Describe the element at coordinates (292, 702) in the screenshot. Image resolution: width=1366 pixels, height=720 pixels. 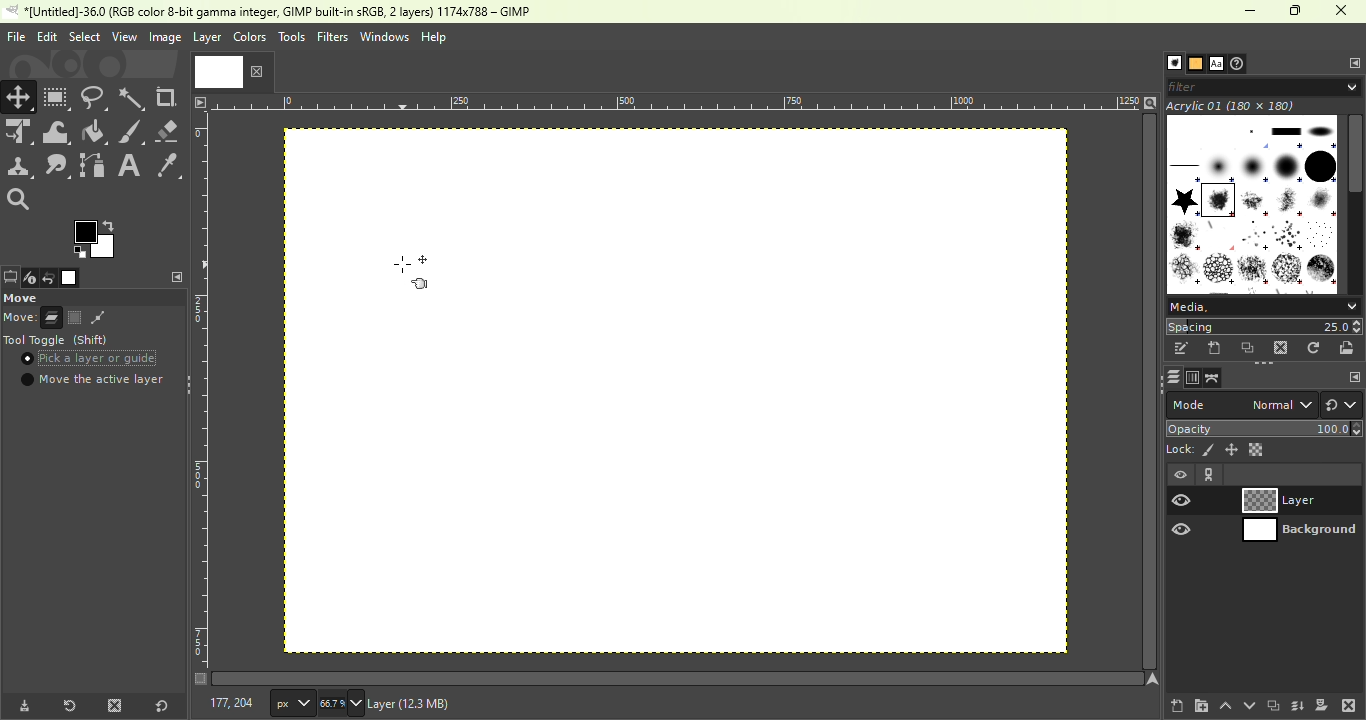
I see `Ruler measurement` at that location.